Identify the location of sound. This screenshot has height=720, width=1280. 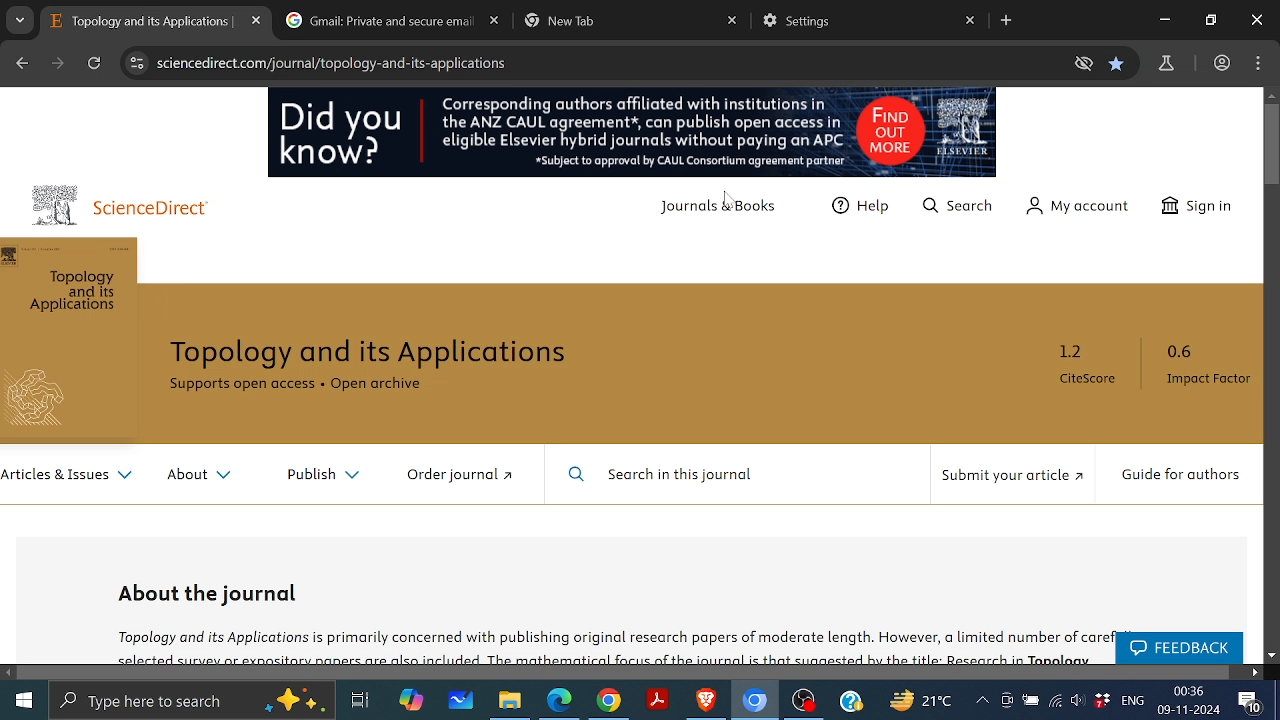
(1078, 702).